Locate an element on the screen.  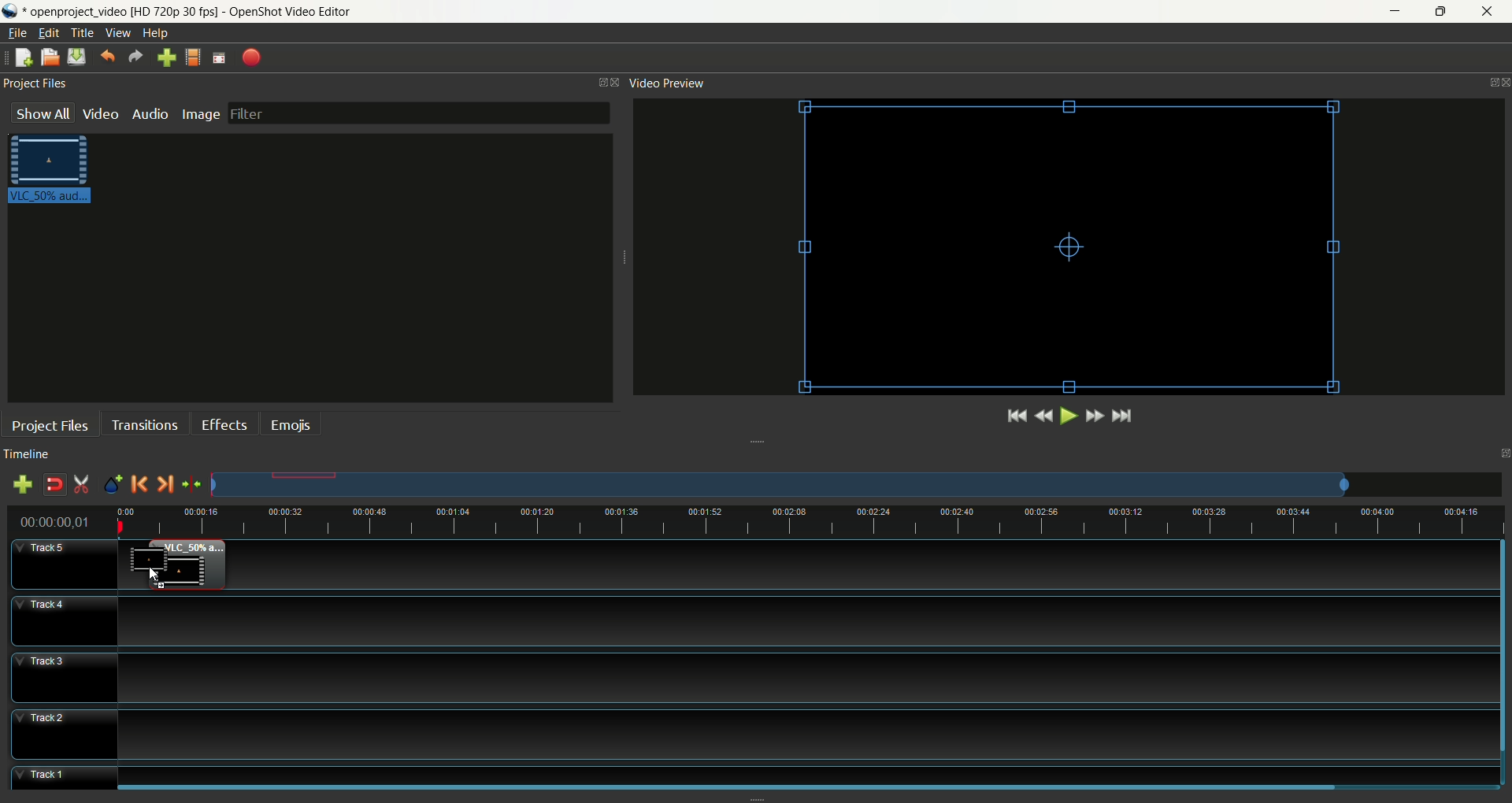
rewind is located at coordinates (1043, 416).